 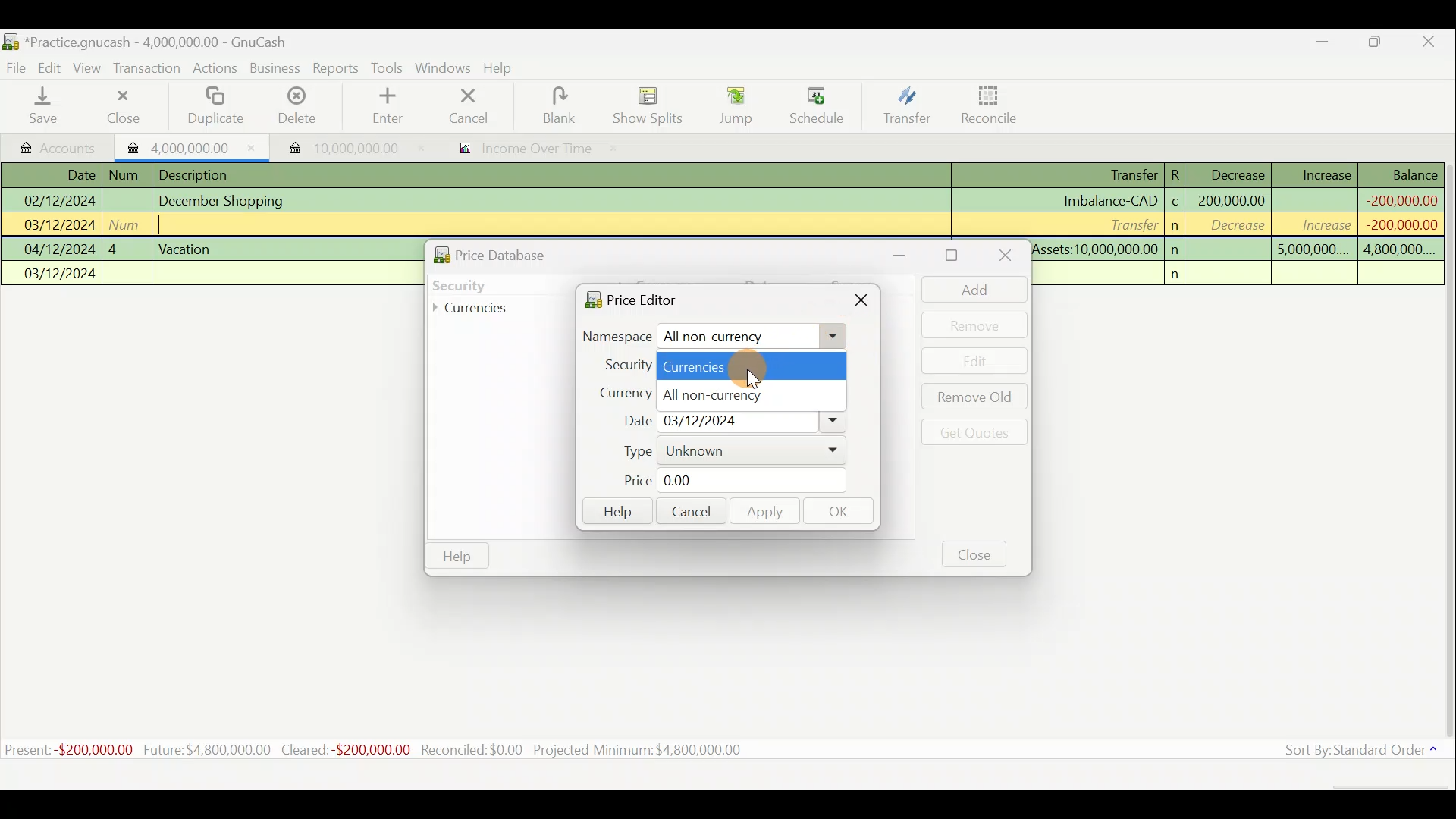 What do you see at coordinates (46, 107) in the screenshot?
I see `Save` at bounding box center [46, 107].